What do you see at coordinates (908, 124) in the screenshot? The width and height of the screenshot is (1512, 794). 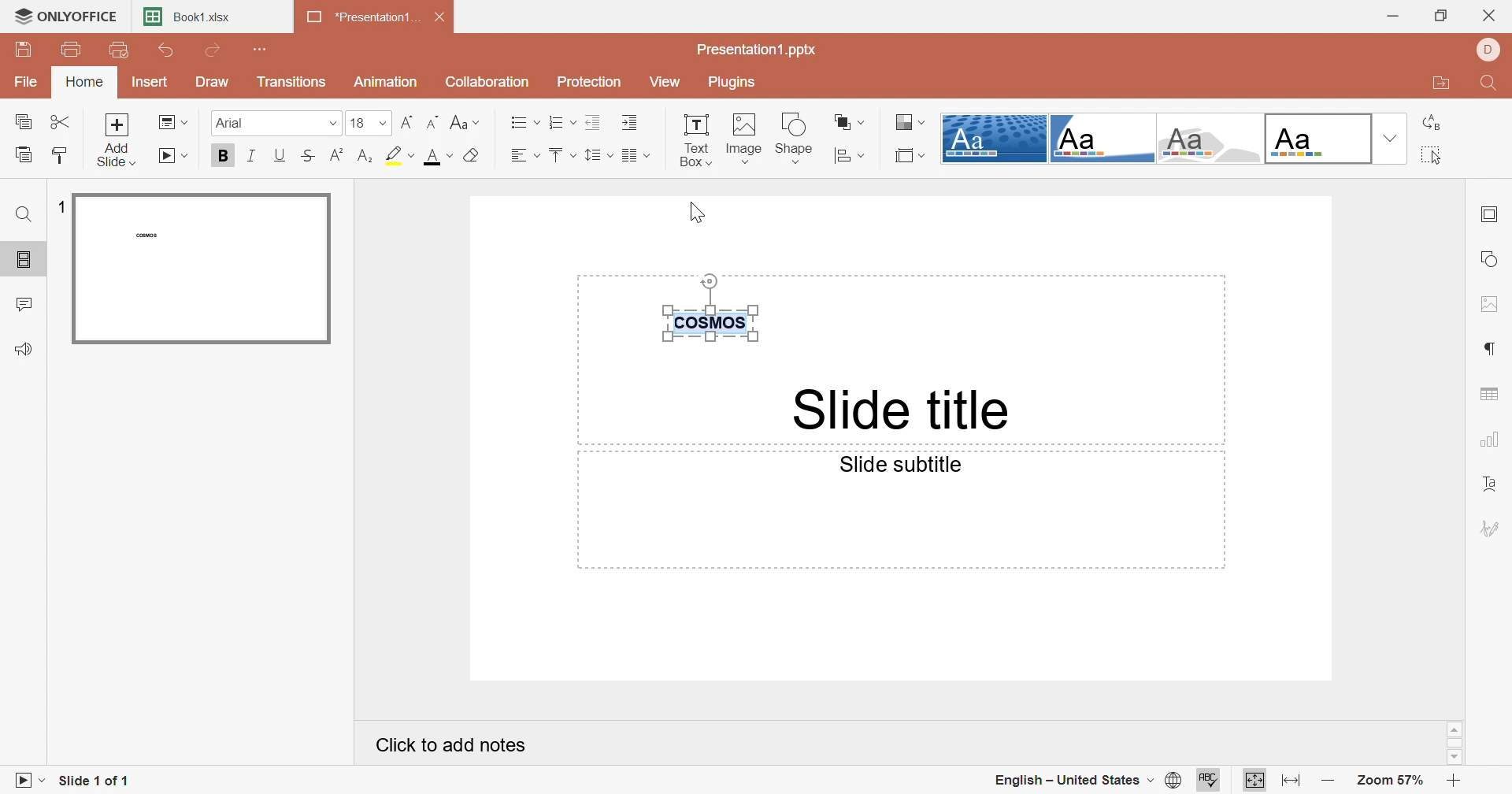 I see `Select color theme` at bounding box center [908, 124].